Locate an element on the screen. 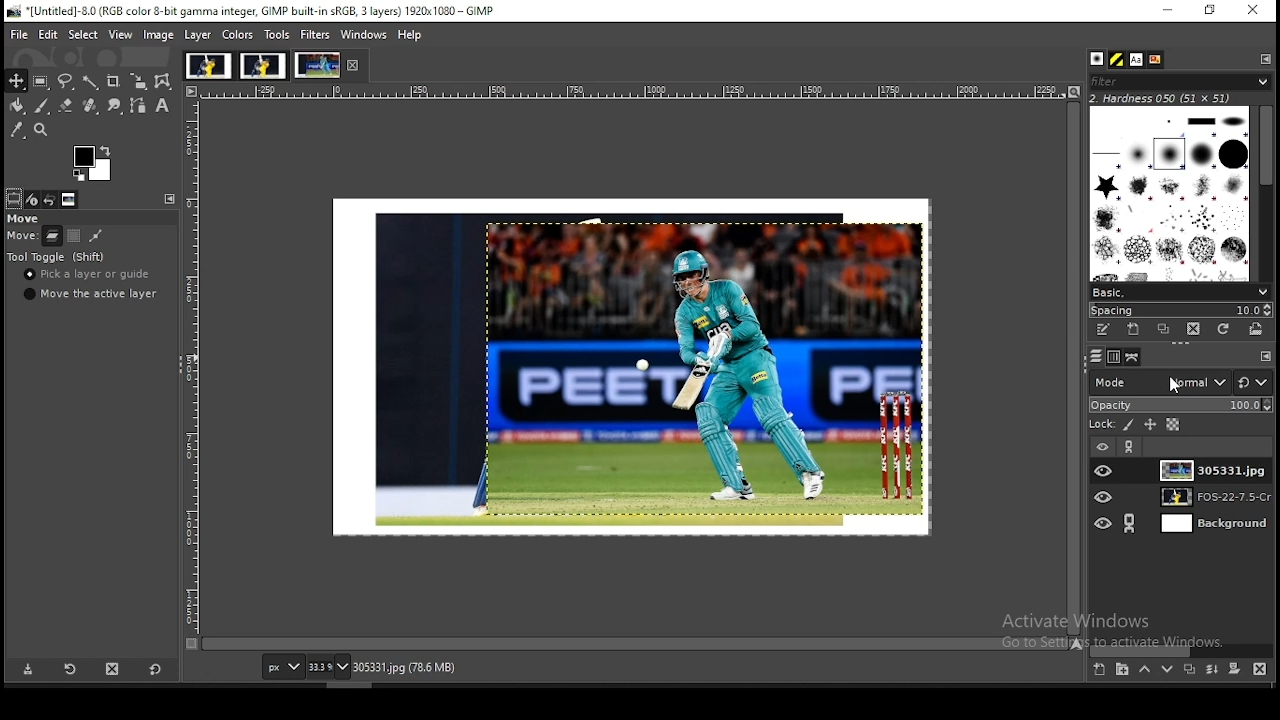 The image size is (1280, 720). edit this brush is located at coordinates (1101, 329).